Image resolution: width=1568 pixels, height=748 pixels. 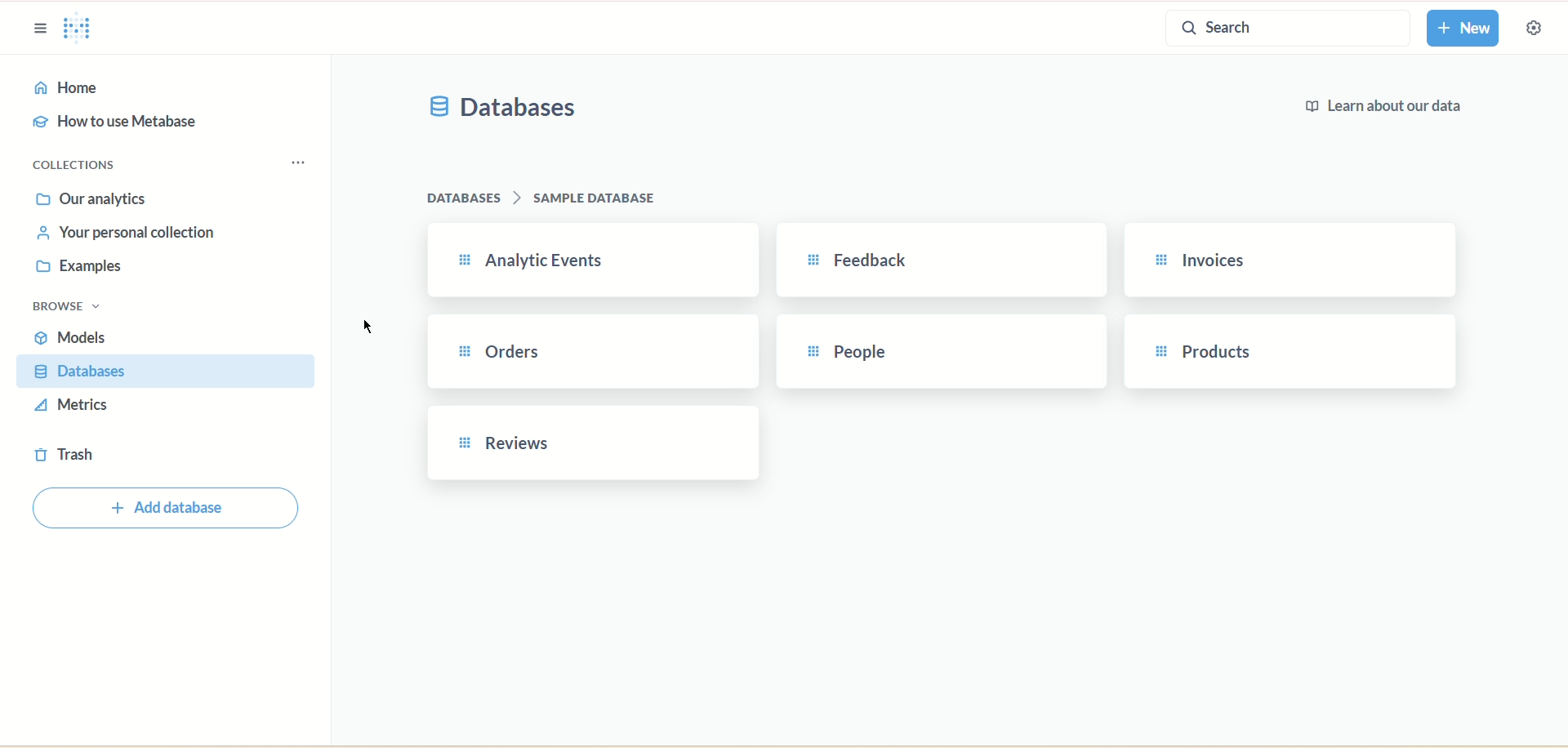 What do you see at coordinates (1296, 350) in the screenshot?
I see `products` at bounding box center [1296, 350].